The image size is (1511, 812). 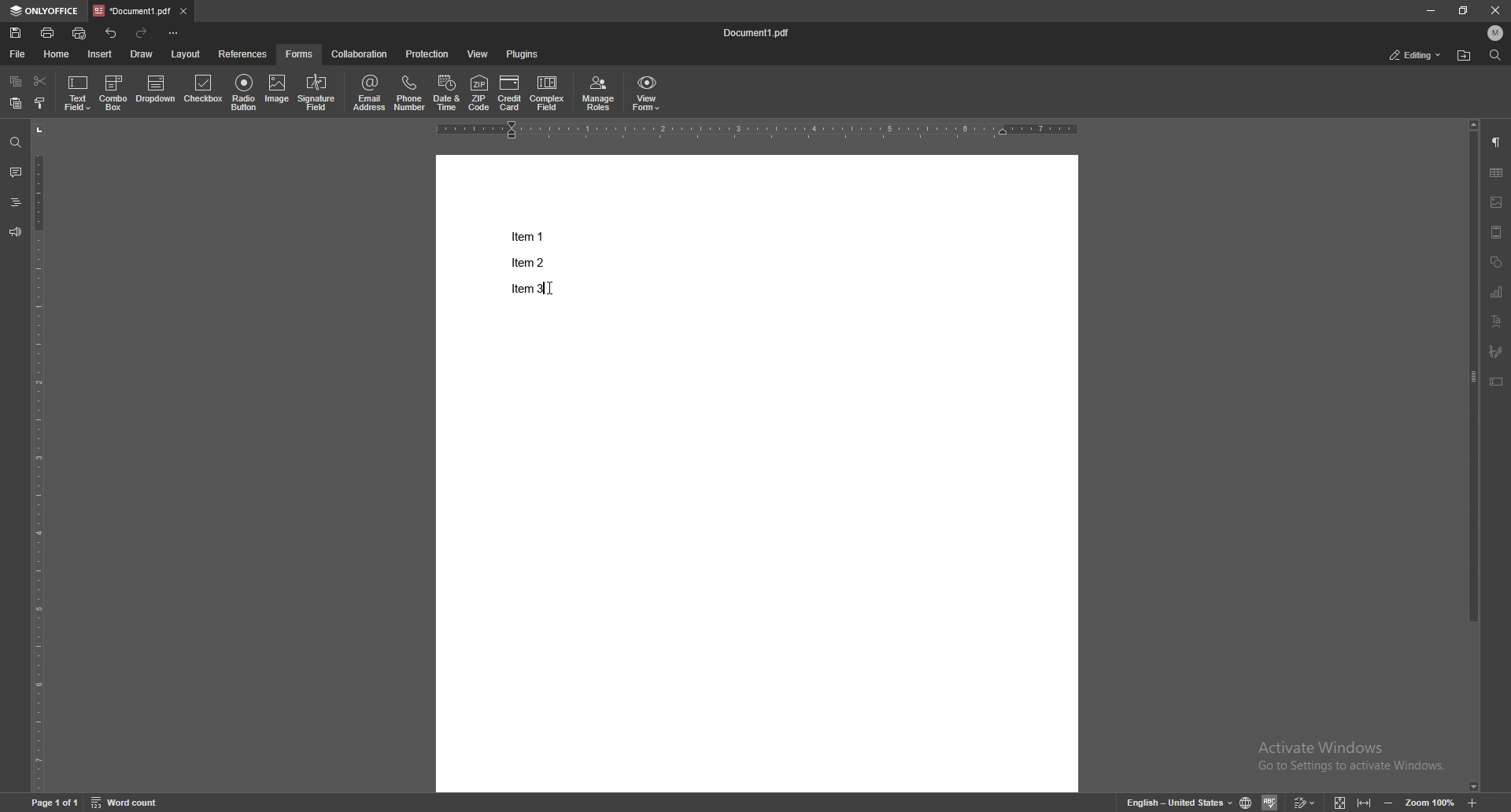 What do you see at coordinates (243, 54) in the screenshot?
I see `references` at bounding box center [243, 54].